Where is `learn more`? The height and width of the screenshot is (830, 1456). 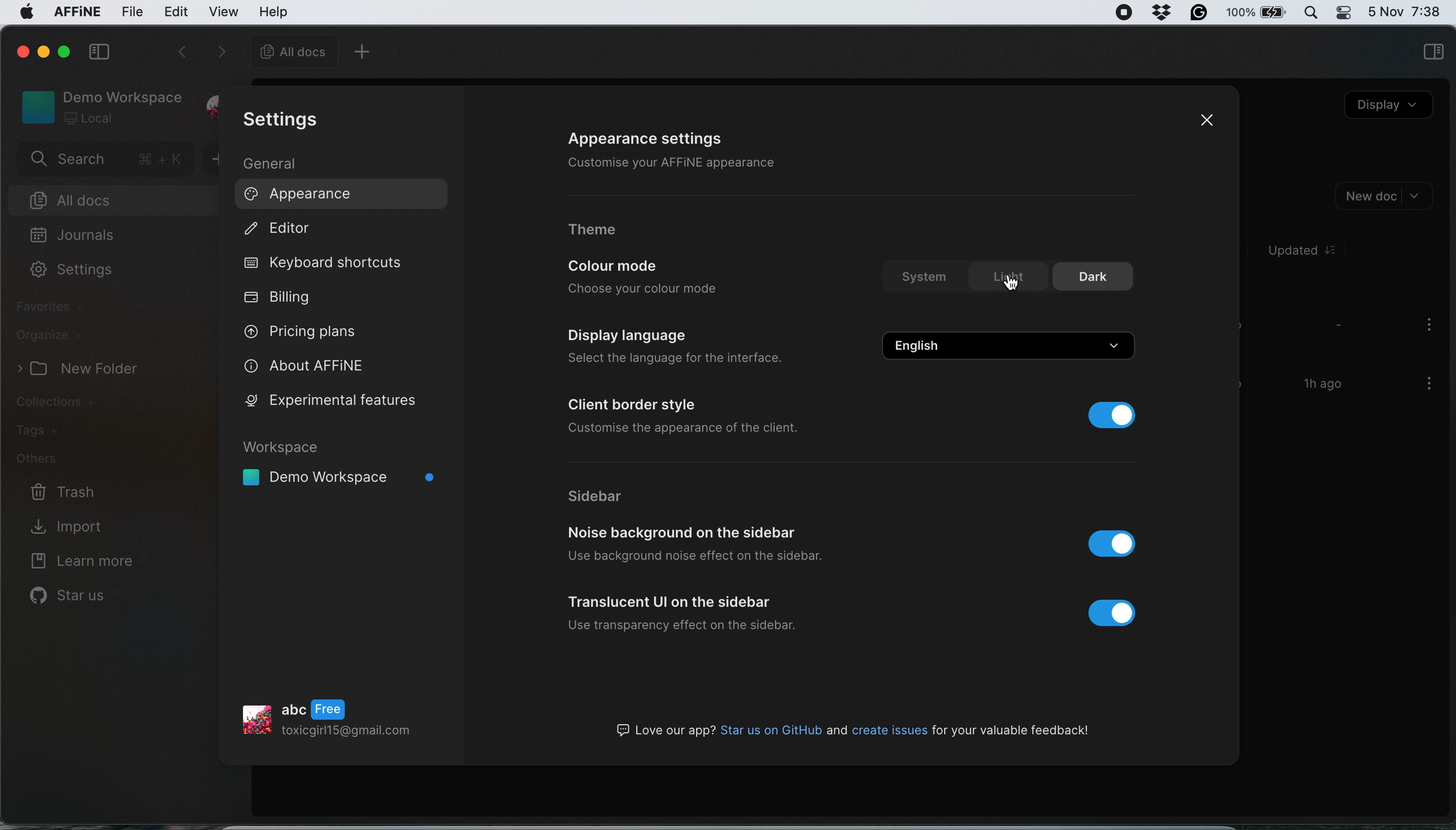
learn more is located at coordinates (86, 563).